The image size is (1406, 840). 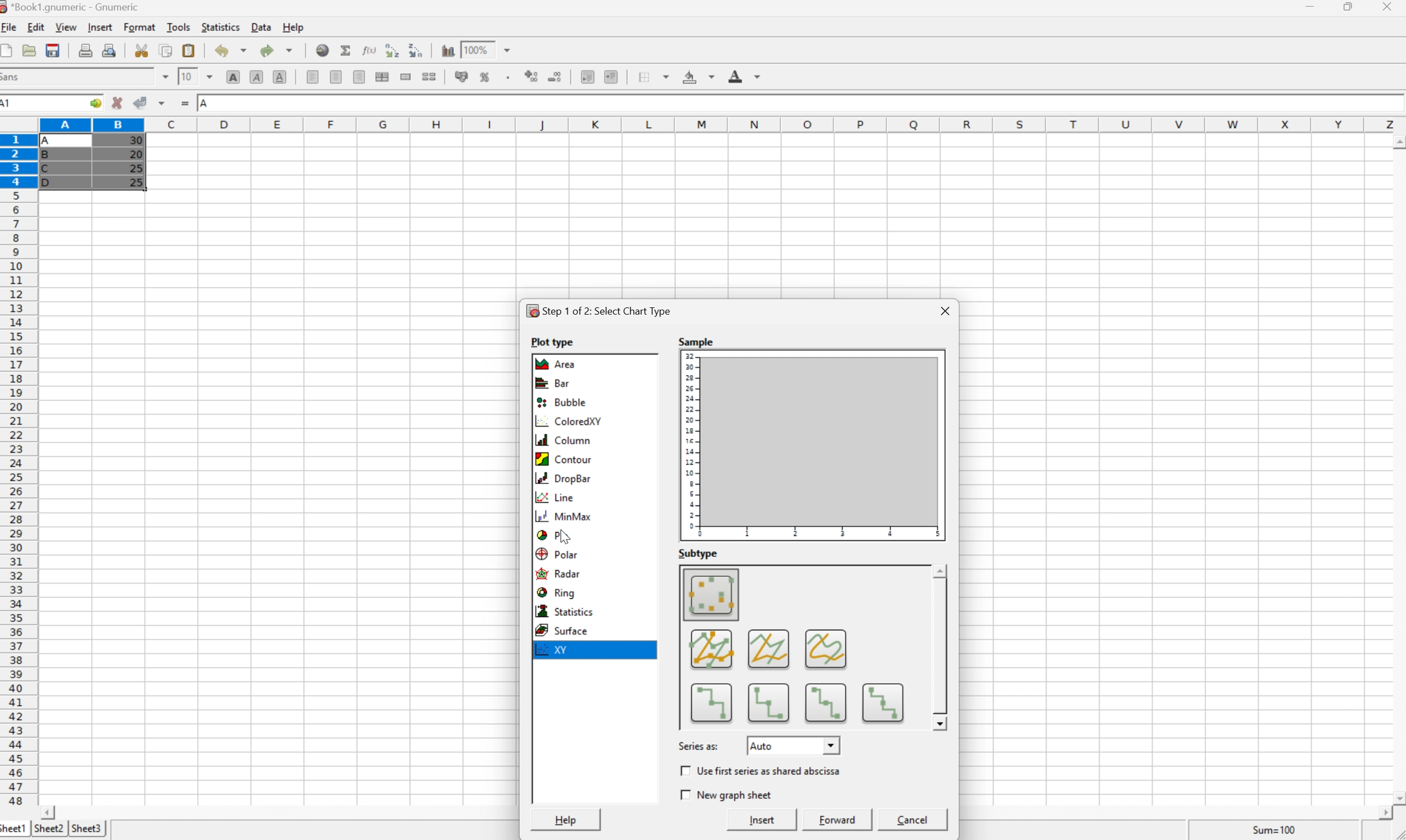 I want to click on Print preview, so click(x=110, y=49).